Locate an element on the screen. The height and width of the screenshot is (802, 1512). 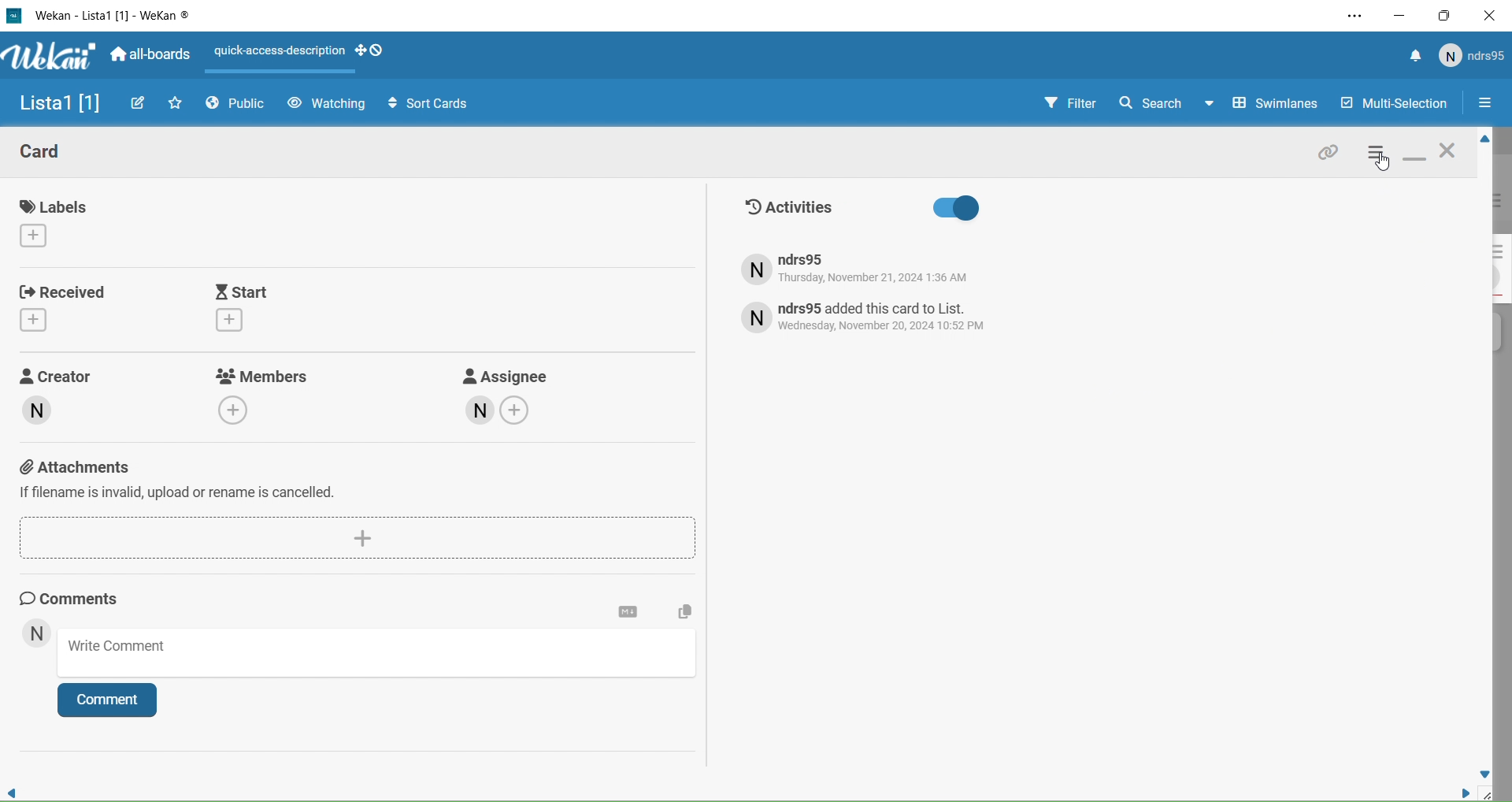
Swimlines is located at coordinates (1265, 104).